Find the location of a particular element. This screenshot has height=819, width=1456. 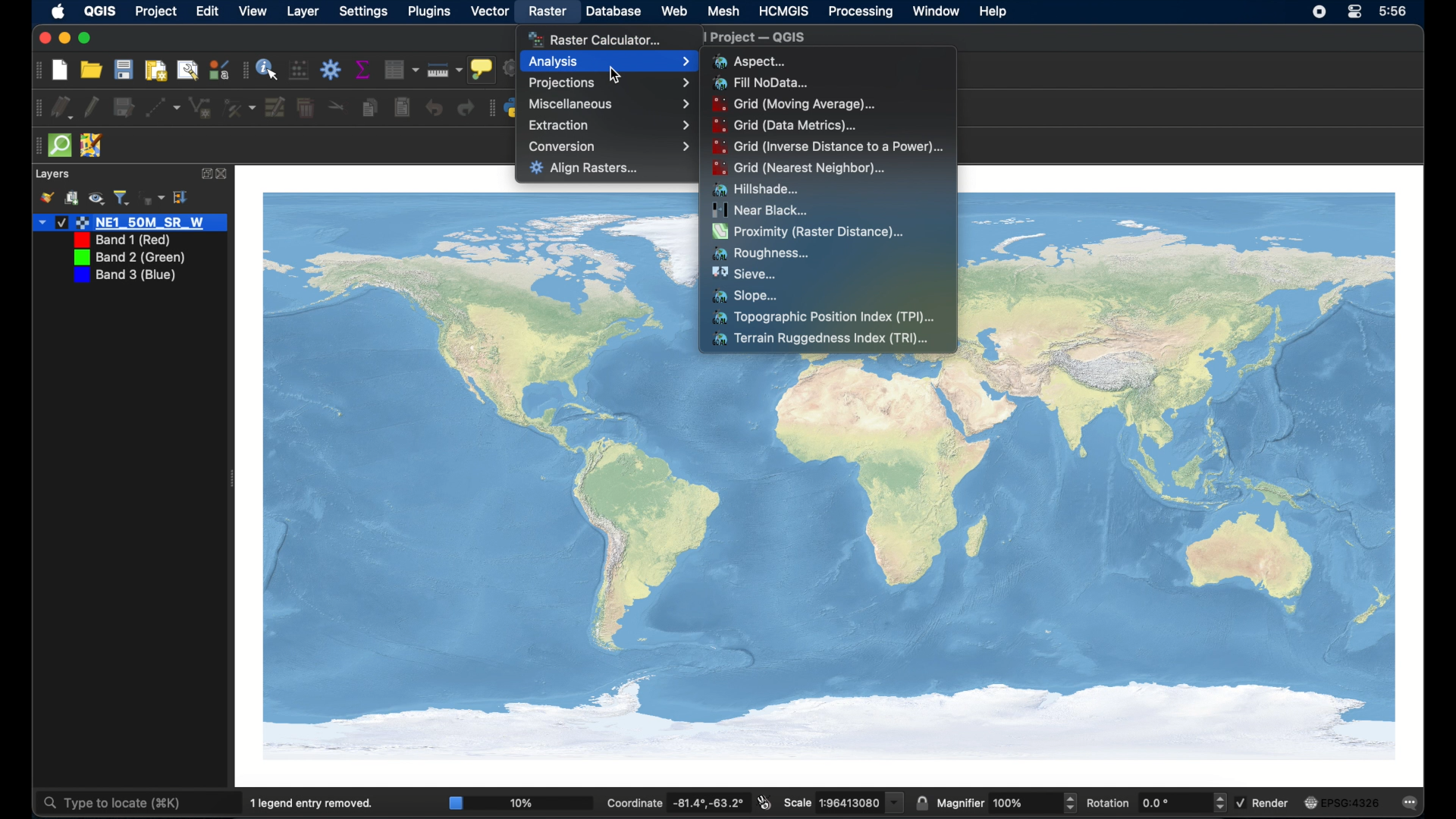

open layout manager is located at coordinates (188, 69).